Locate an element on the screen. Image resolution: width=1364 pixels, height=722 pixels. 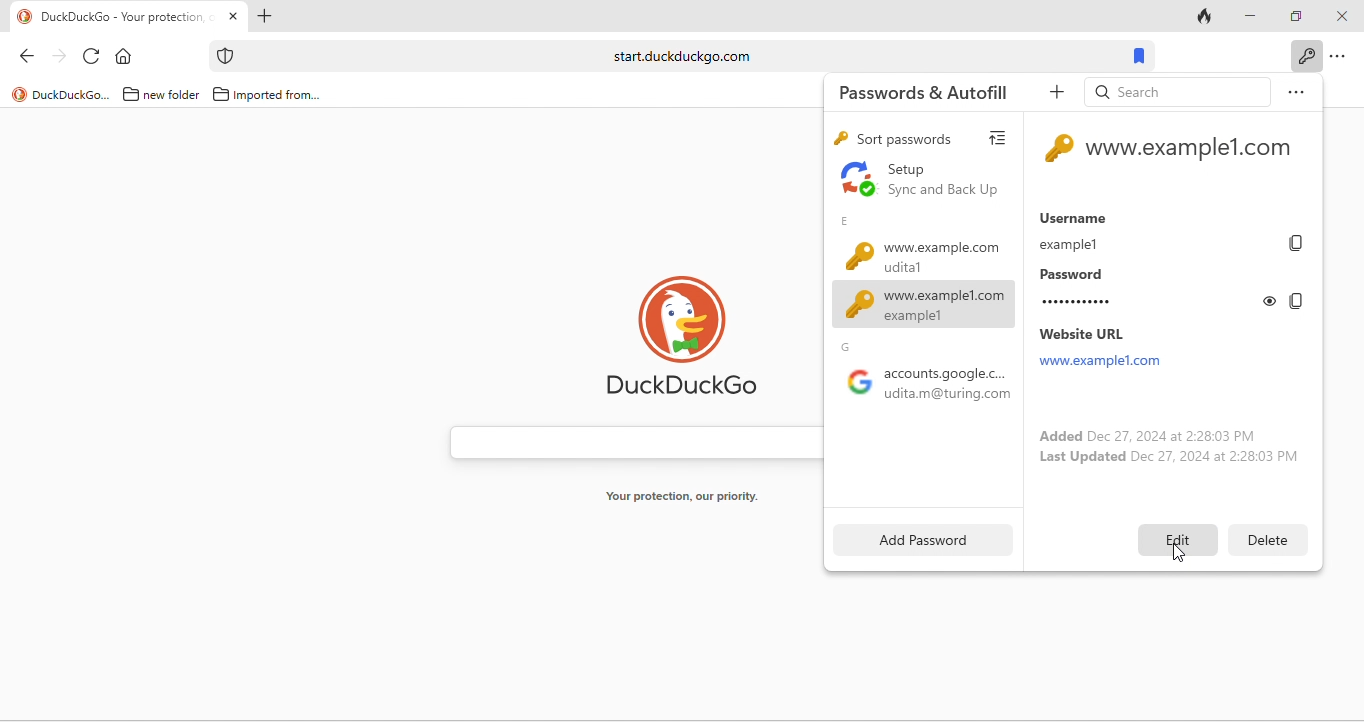
passwords and autofill is located at coordinates (936, 91).